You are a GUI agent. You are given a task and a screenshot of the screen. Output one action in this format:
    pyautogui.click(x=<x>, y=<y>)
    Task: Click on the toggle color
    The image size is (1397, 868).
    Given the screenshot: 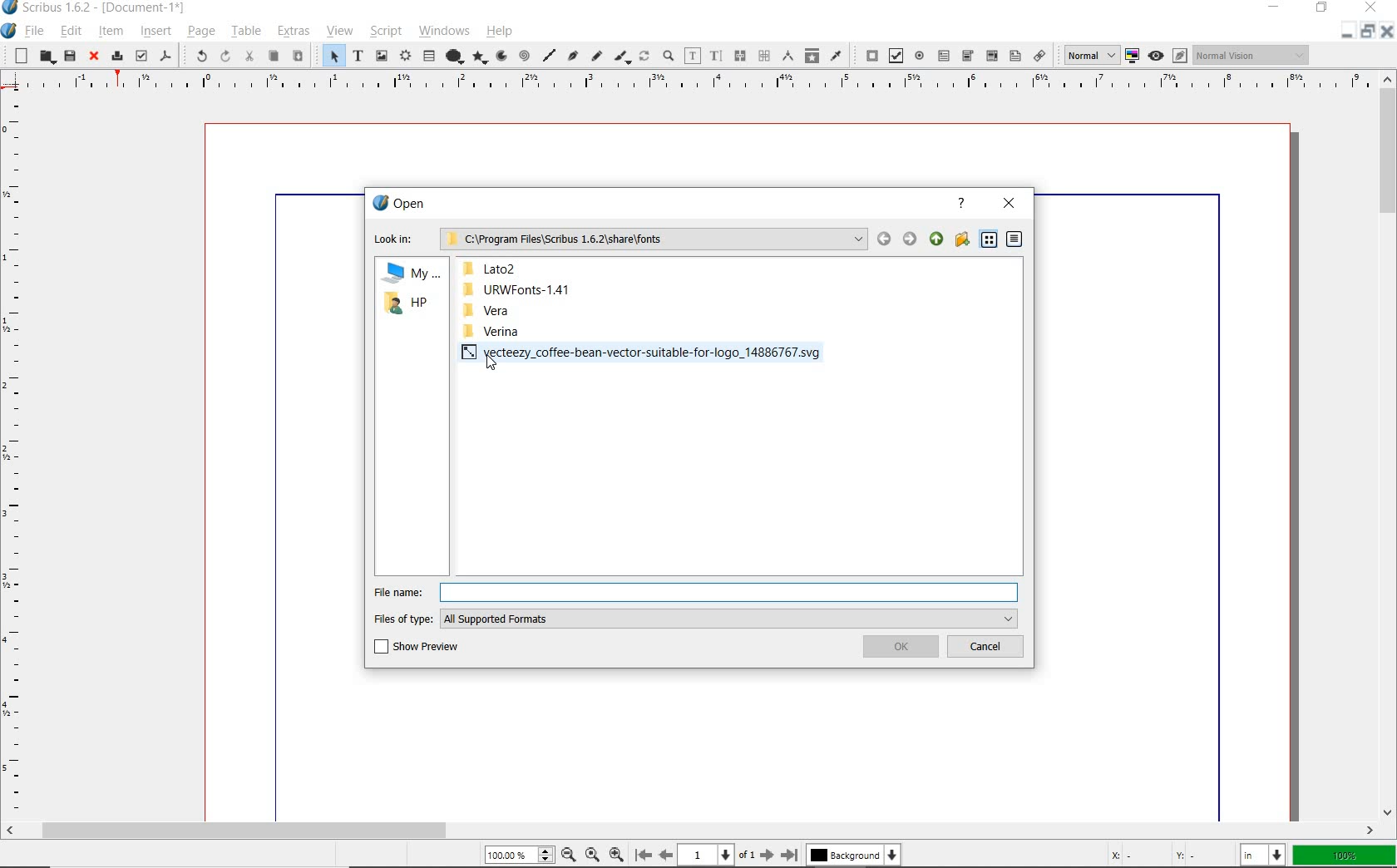 What is the action you would take?
    pyautogui.click(x=1133, y=55)
    